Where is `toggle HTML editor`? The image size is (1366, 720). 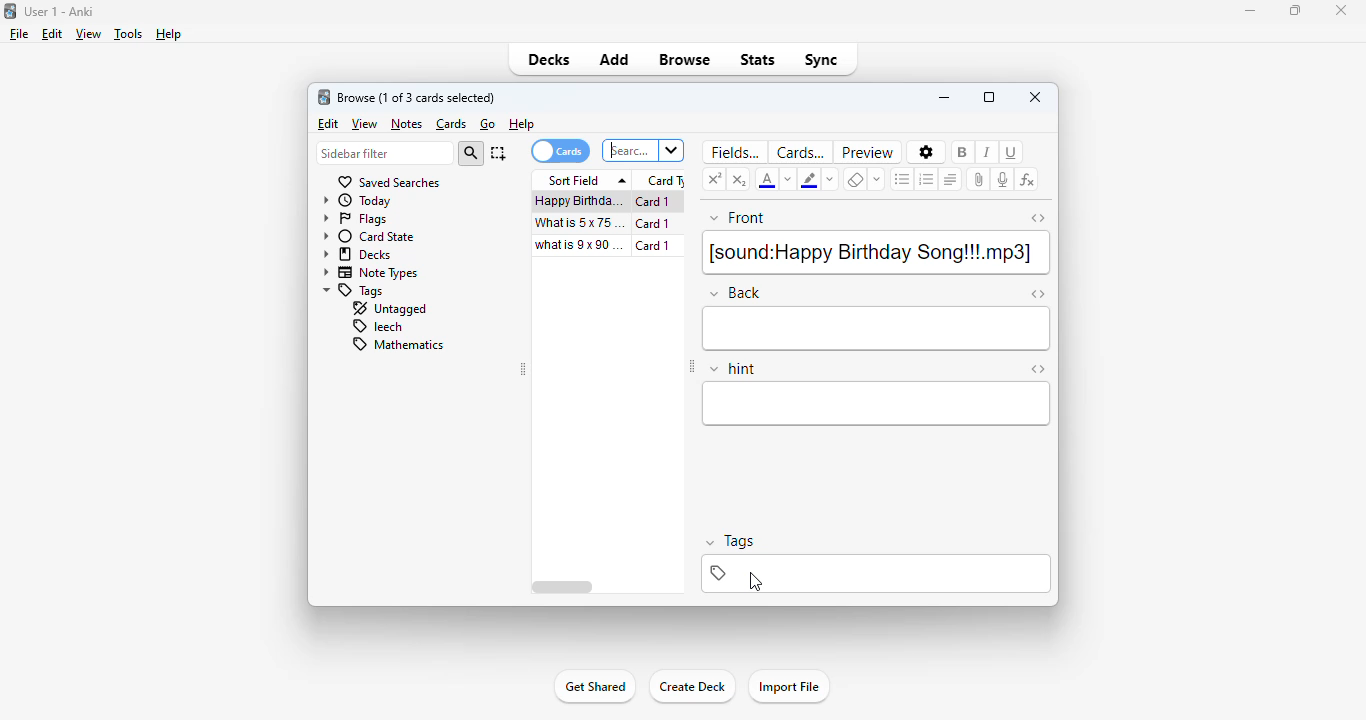 toggle HTML editor is located at coordinates (1037, 369).